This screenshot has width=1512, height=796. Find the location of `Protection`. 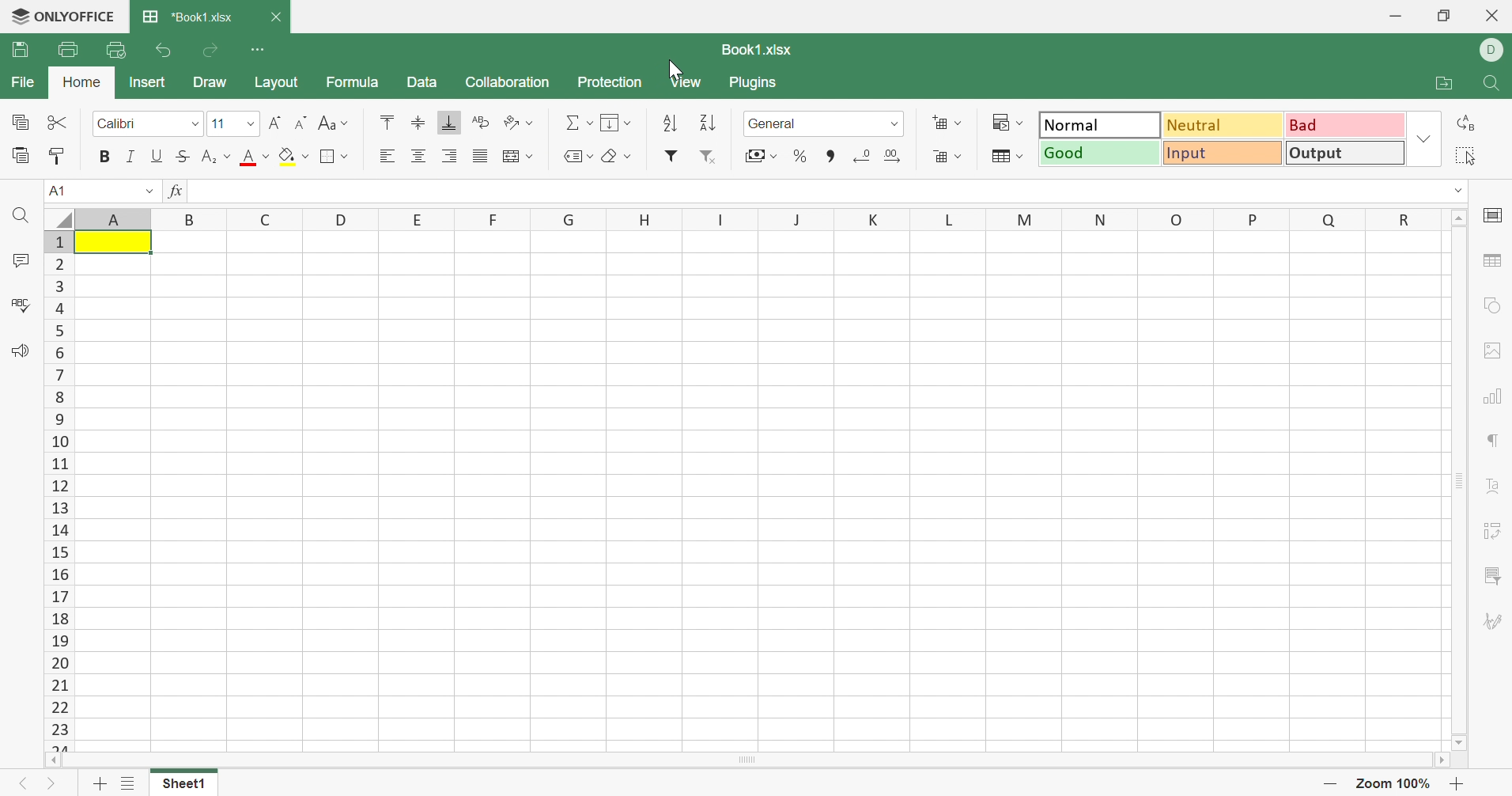

Protection is located at coordinates (610, 81).